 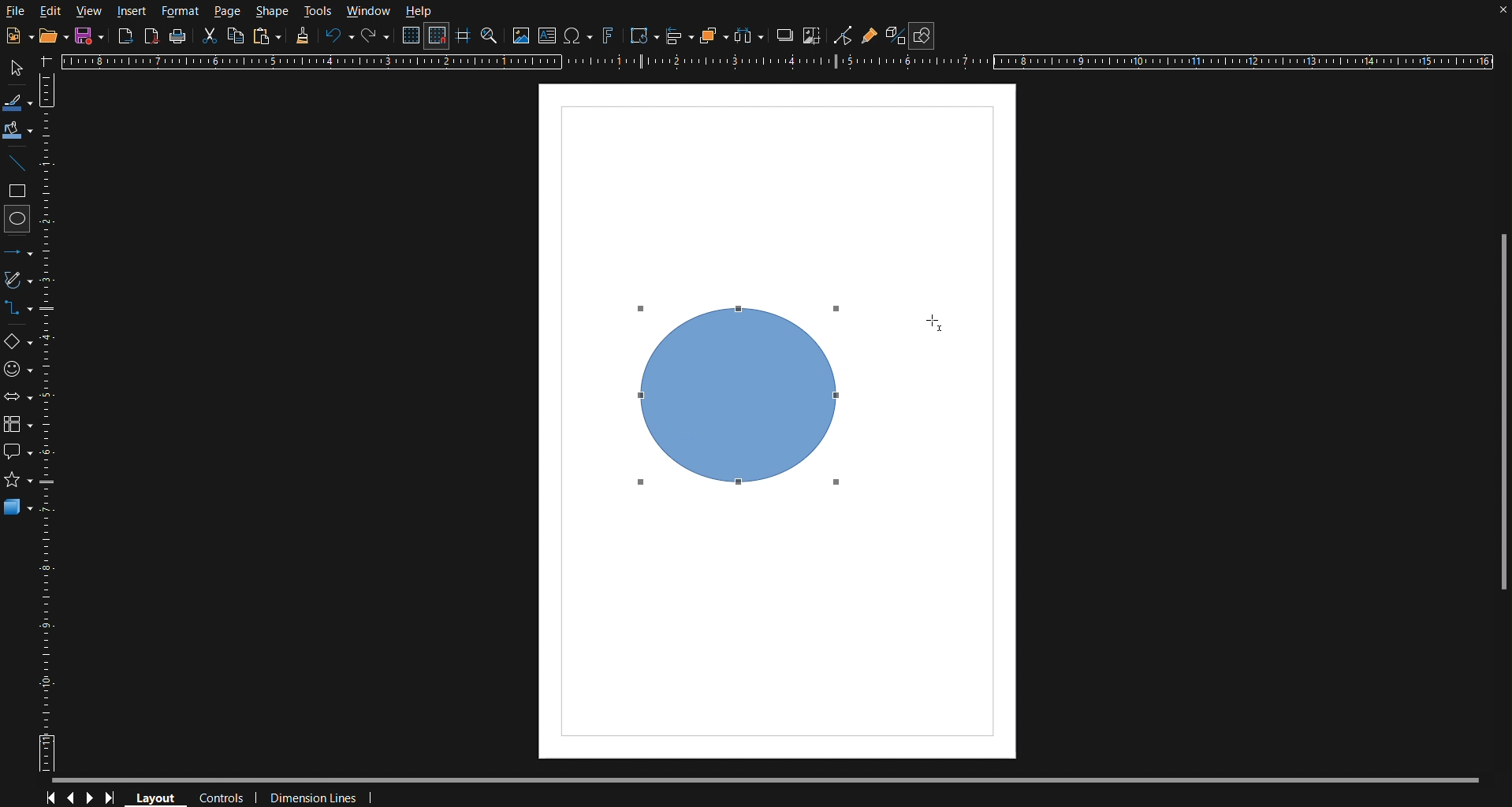 I want to click on Display Grid, so click(x=410, y=36).